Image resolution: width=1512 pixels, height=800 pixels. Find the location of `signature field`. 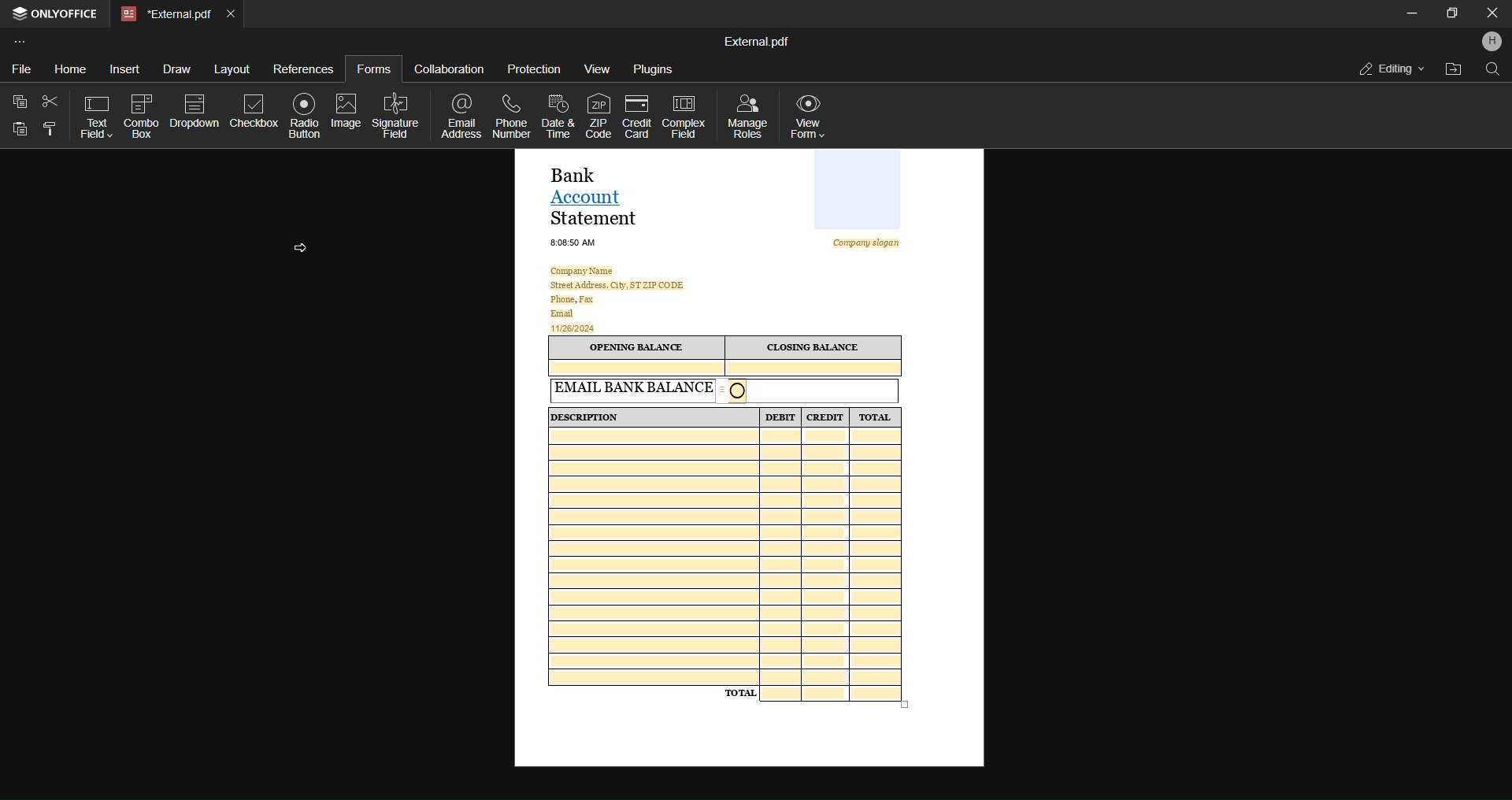

signature field is located at coordinates (398, 116).